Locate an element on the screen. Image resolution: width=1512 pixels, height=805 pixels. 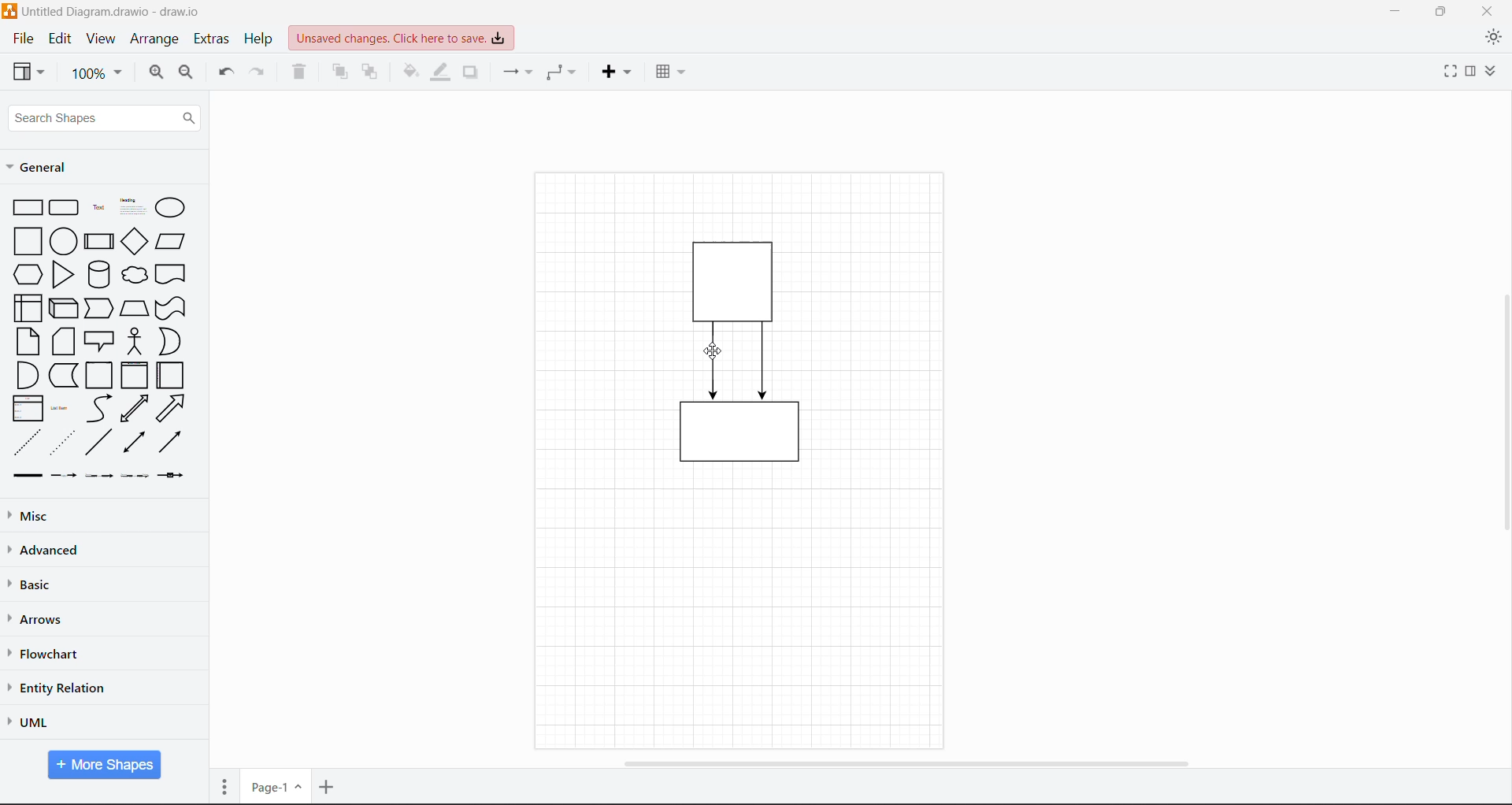
Triangle is located at coordinates (63, 274).